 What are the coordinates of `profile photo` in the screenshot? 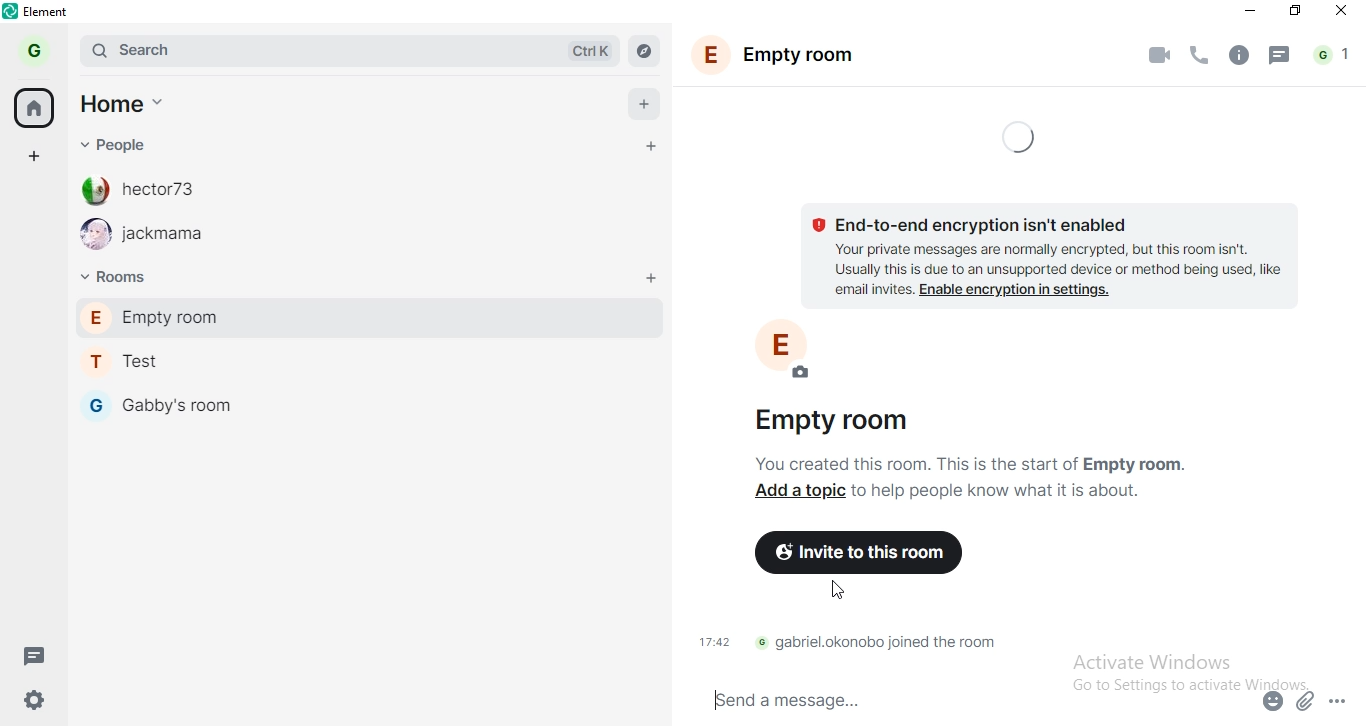 It's located at (788, 351).